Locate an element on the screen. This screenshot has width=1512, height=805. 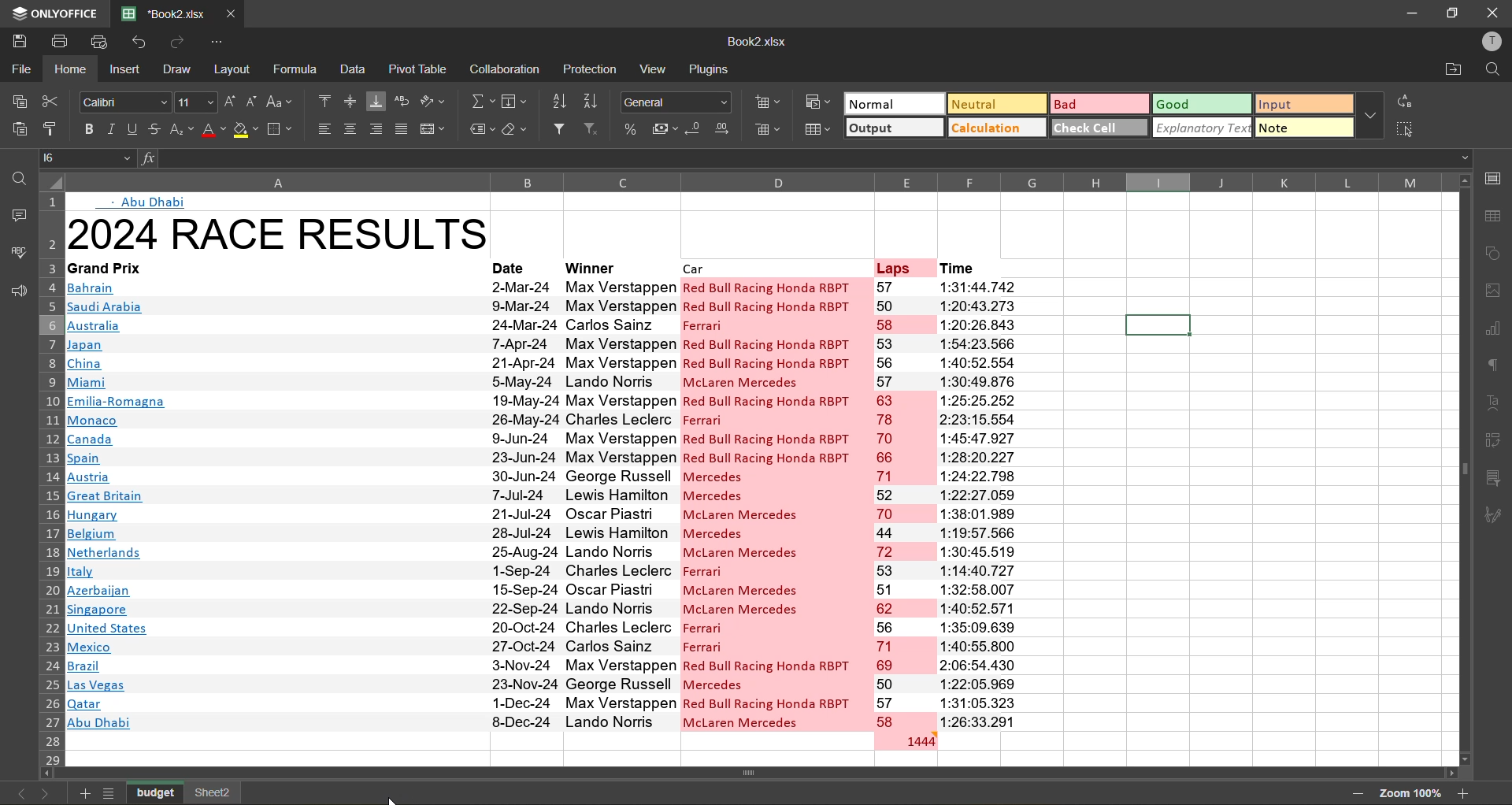
country is located at coordinates (274, 504).